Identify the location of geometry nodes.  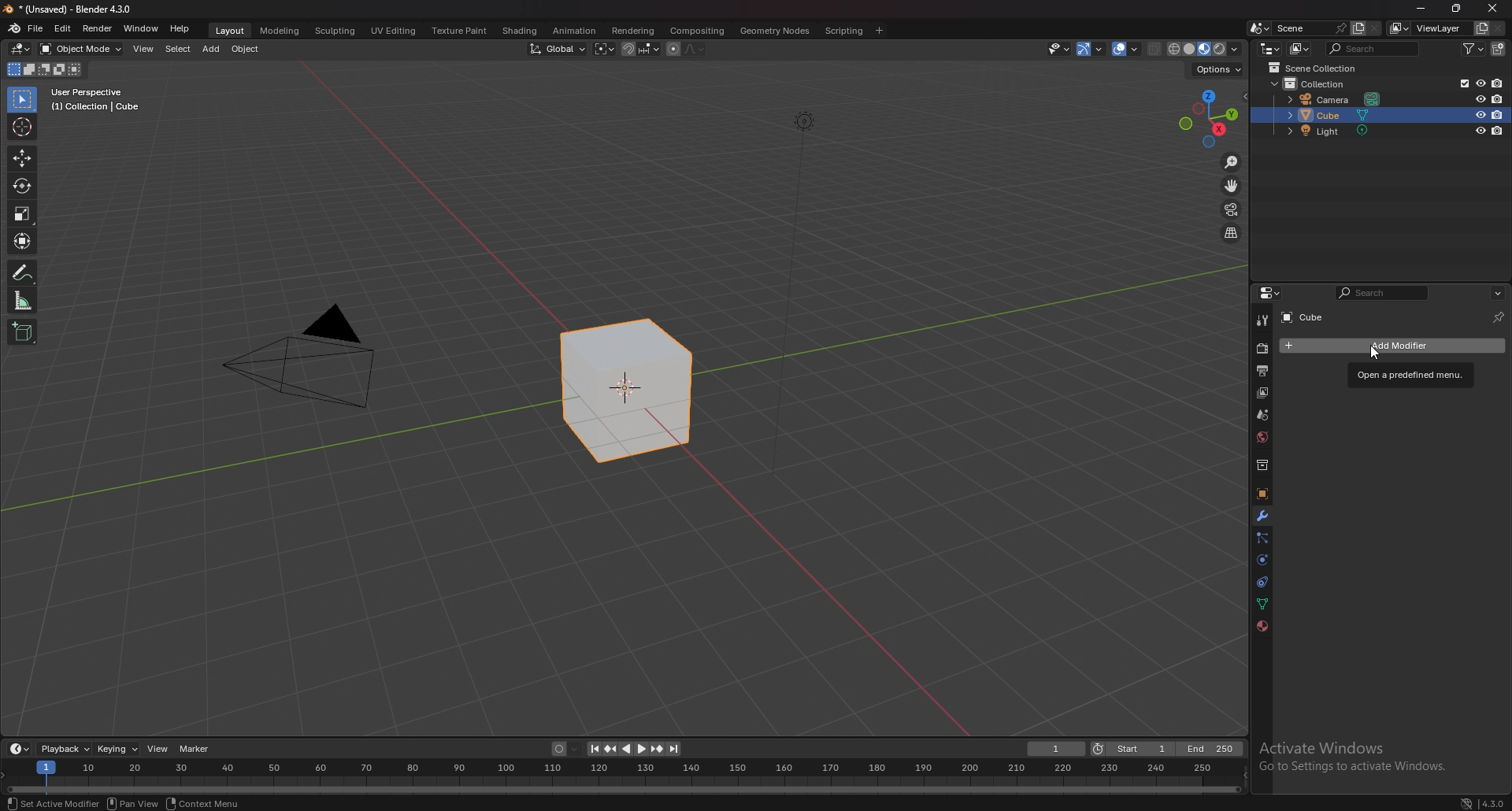
(775, 30).